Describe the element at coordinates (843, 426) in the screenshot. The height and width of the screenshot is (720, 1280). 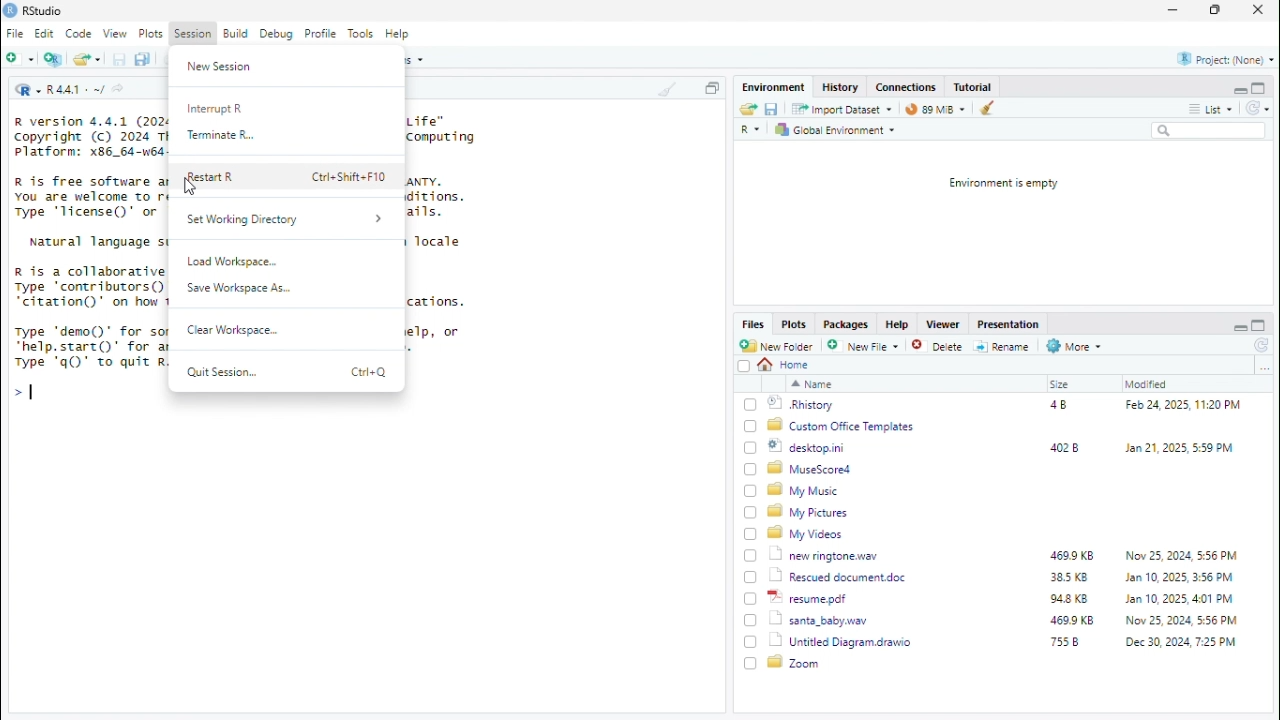
I see `Custom Office Templates` at that location.